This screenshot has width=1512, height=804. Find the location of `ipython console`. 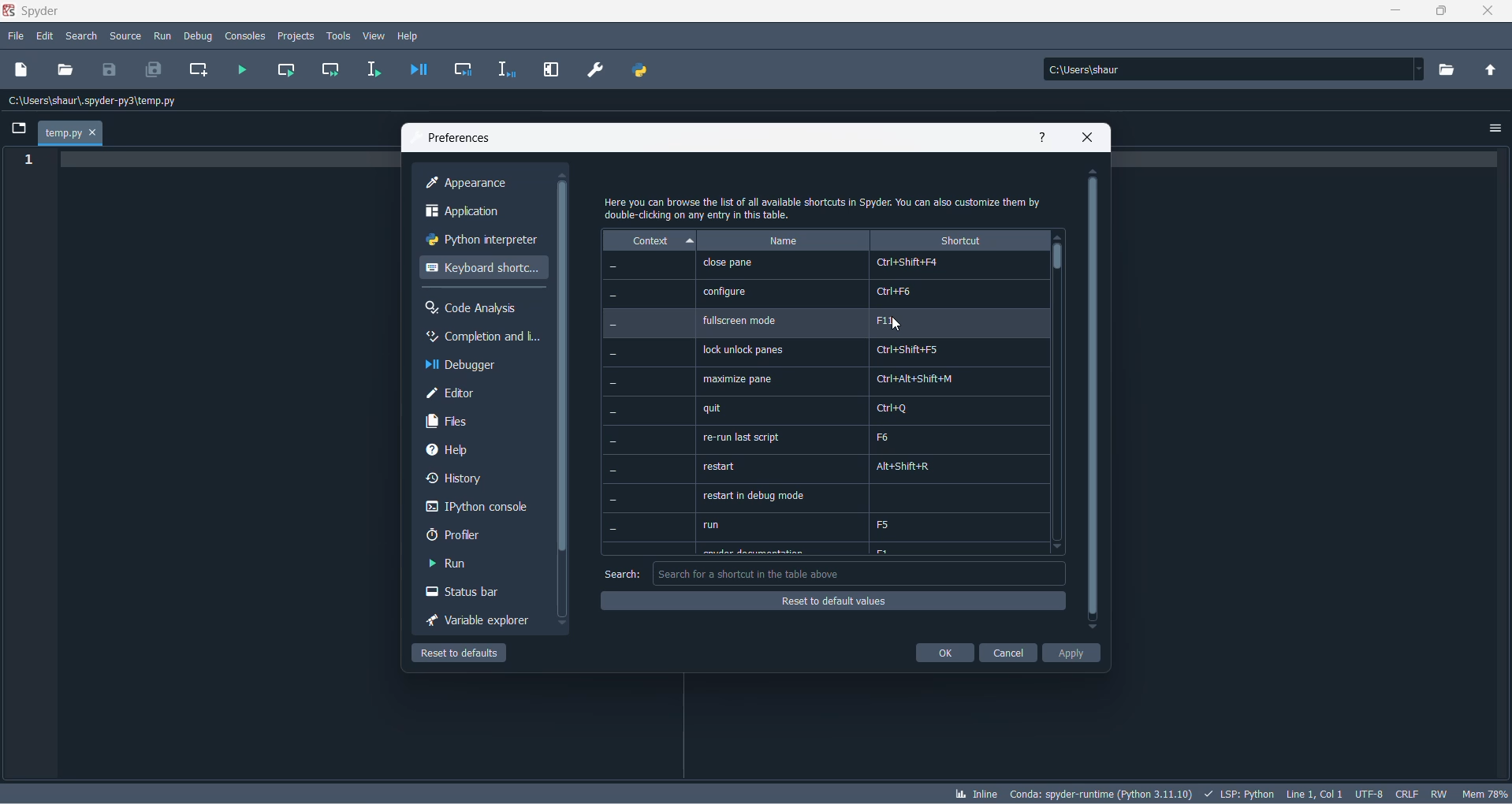

ipython console is located at coordinates (478, 508).